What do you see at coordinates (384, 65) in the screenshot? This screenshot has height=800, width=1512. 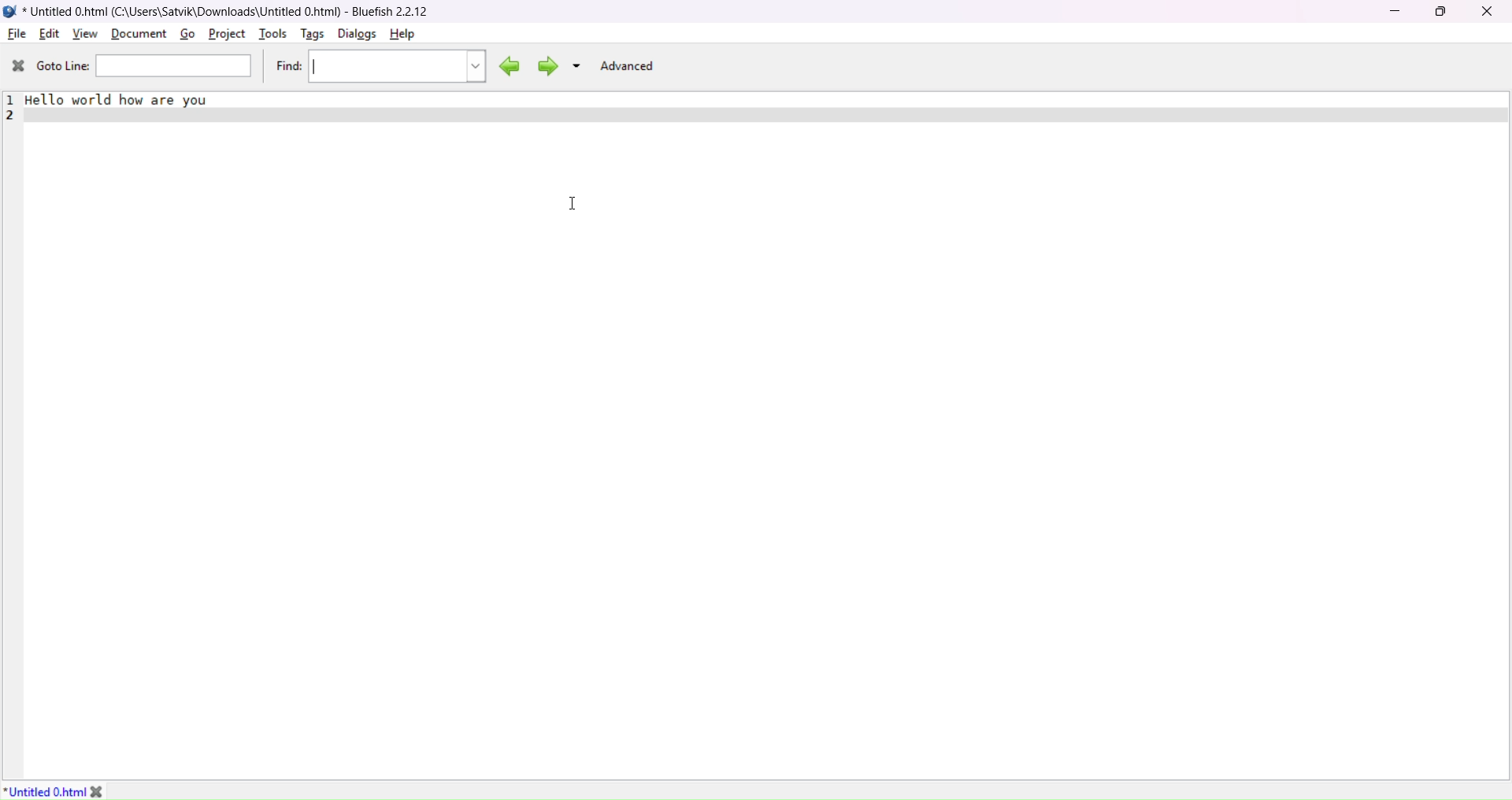 I see `search what to find` at bounding box center [384, 65].